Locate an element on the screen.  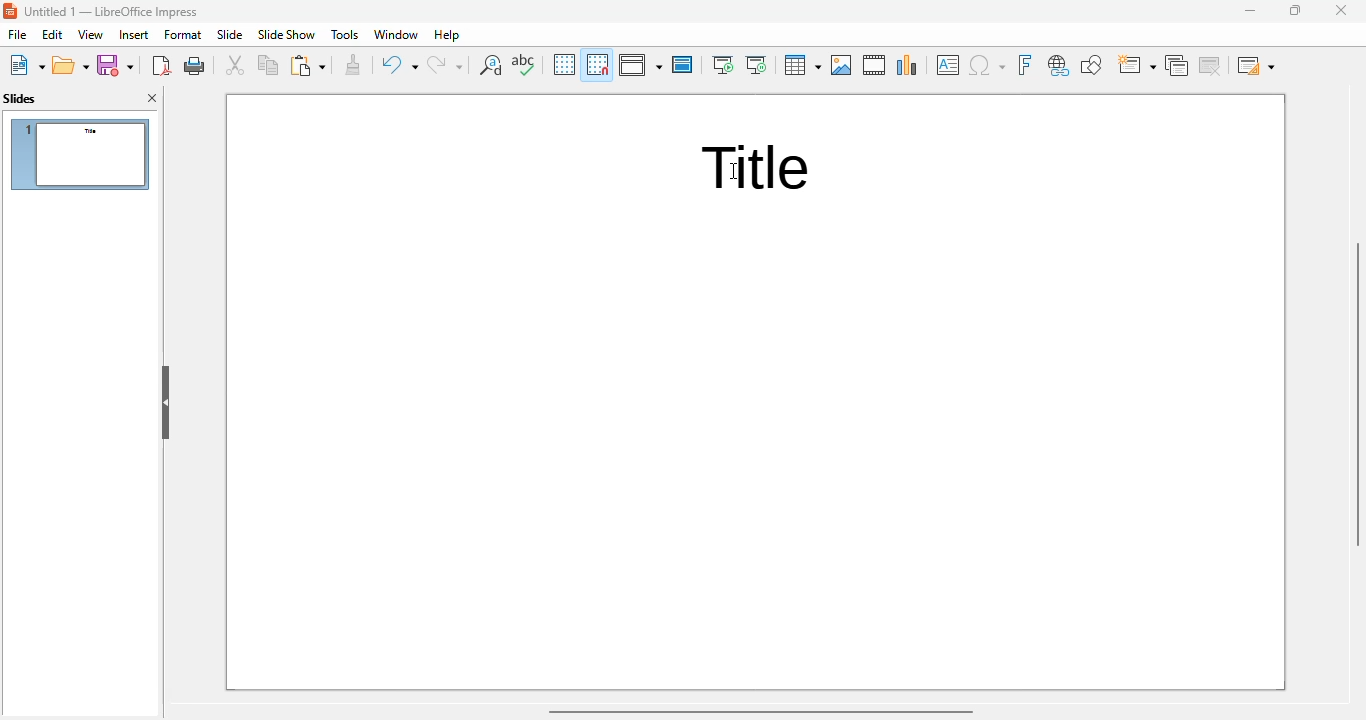
help is located at coordinates (448, 35).